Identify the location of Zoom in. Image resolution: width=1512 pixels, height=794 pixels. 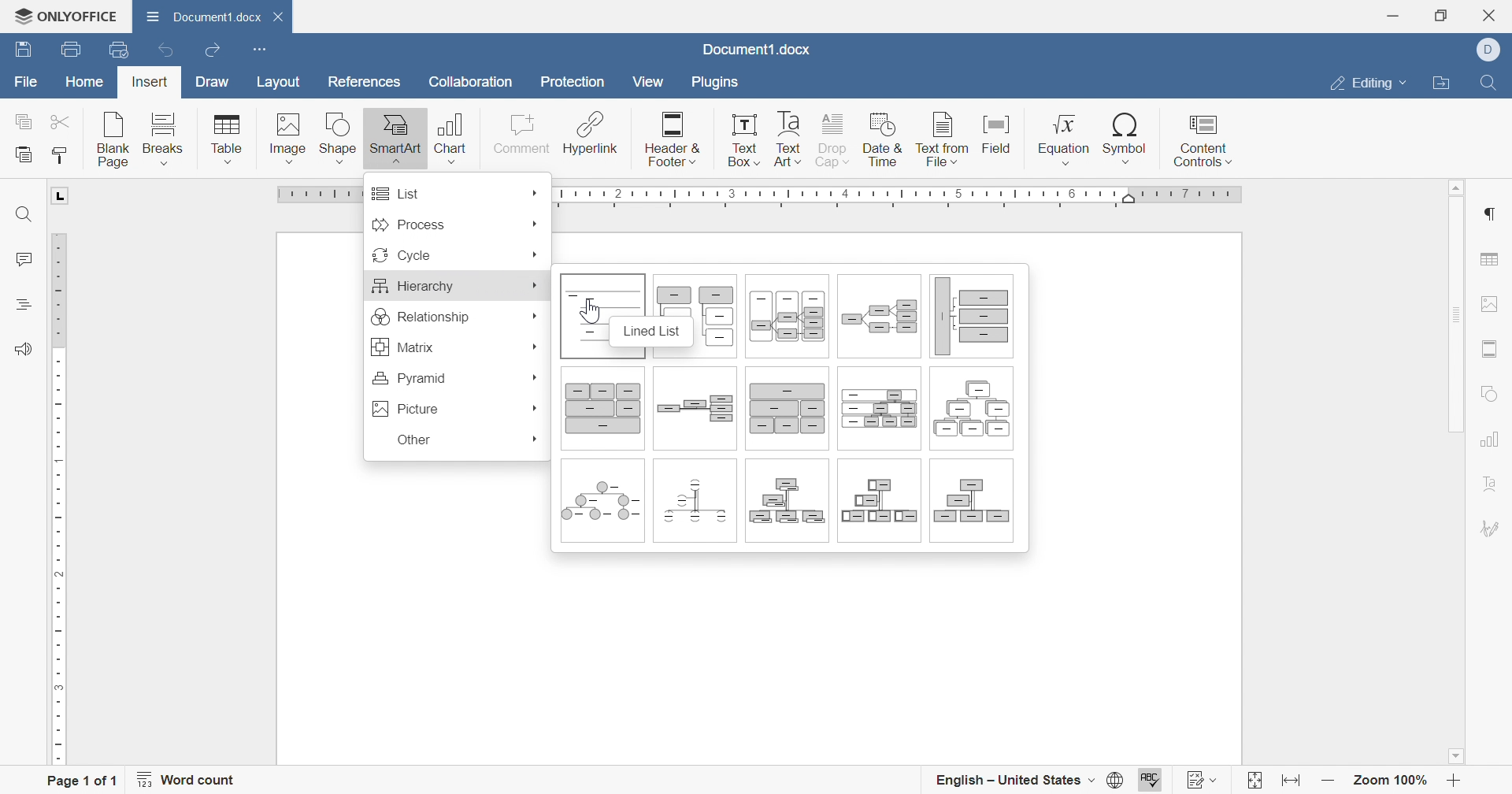
(1454, 781).